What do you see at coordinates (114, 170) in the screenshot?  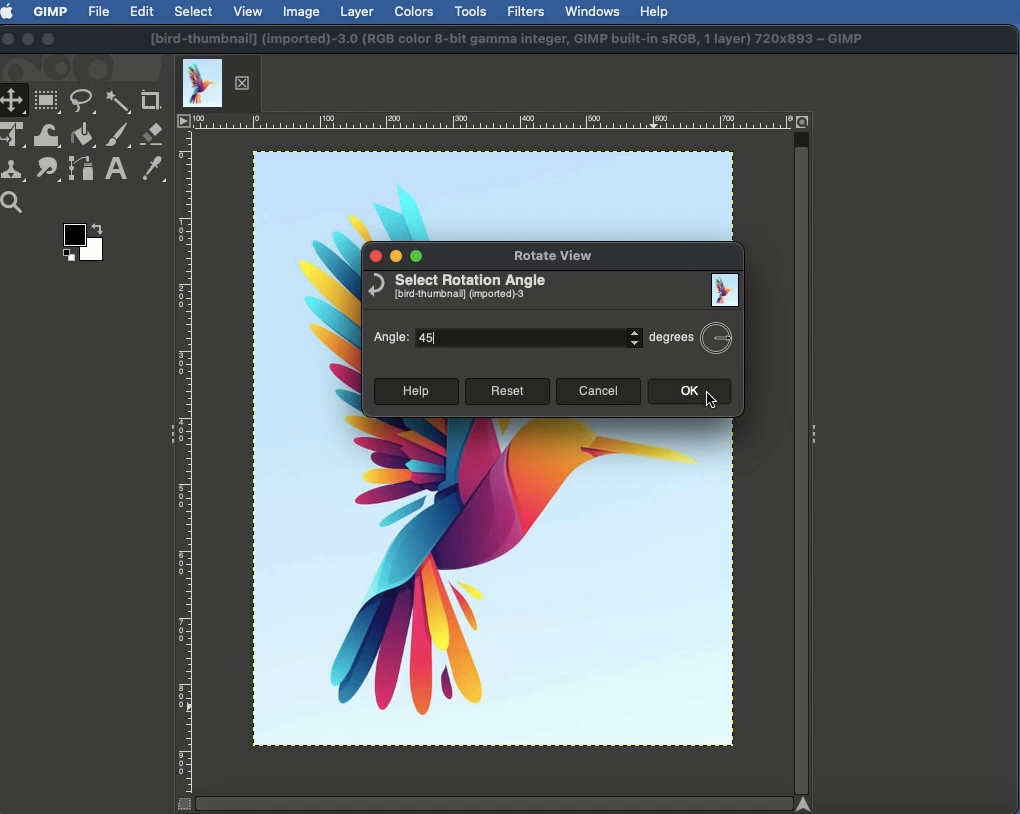 I see `Text` at bounding box center [114, 170].